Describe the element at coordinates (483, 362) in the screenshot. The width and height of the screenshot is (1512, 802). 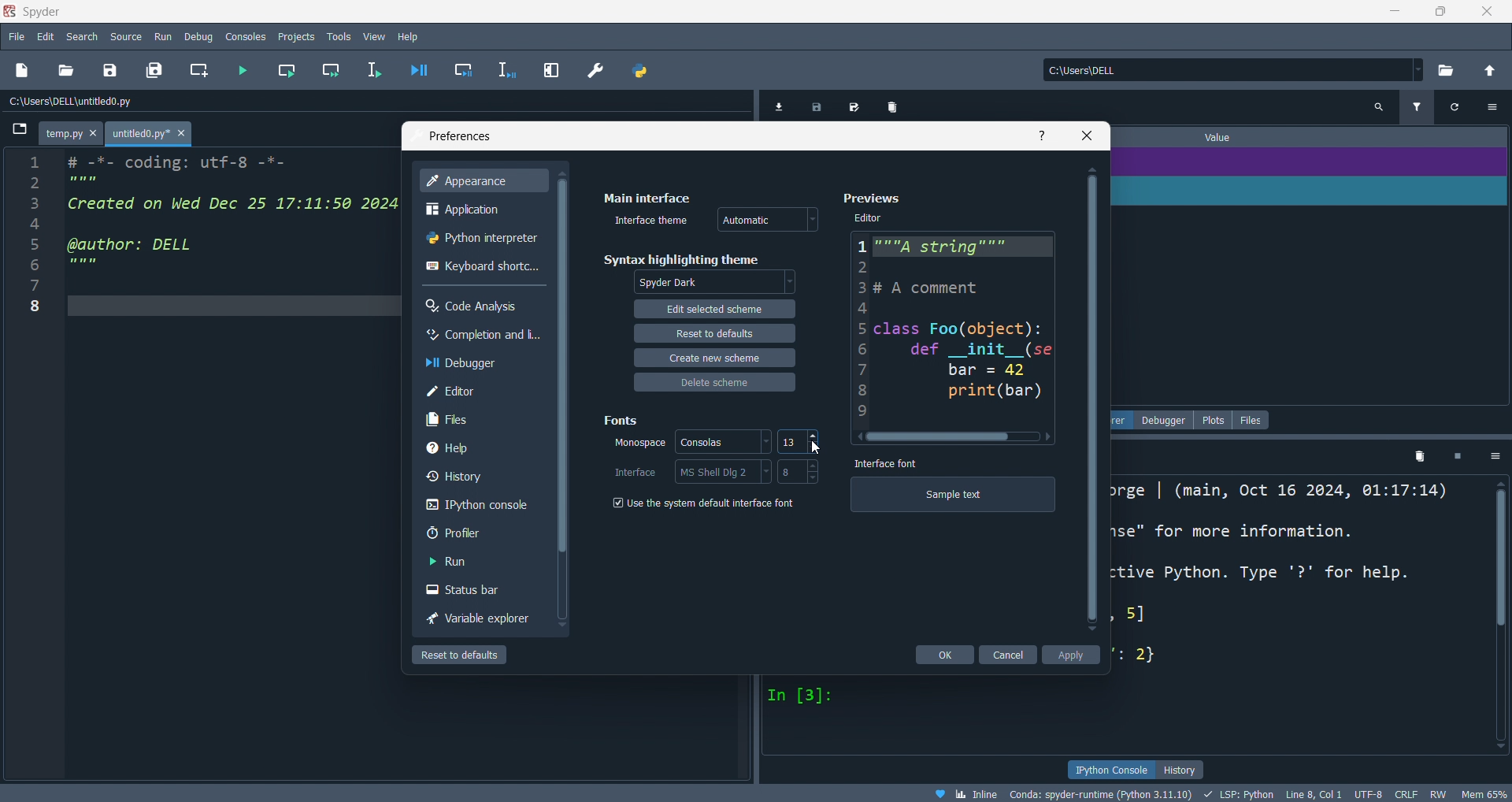
I see `debugger` at that location.